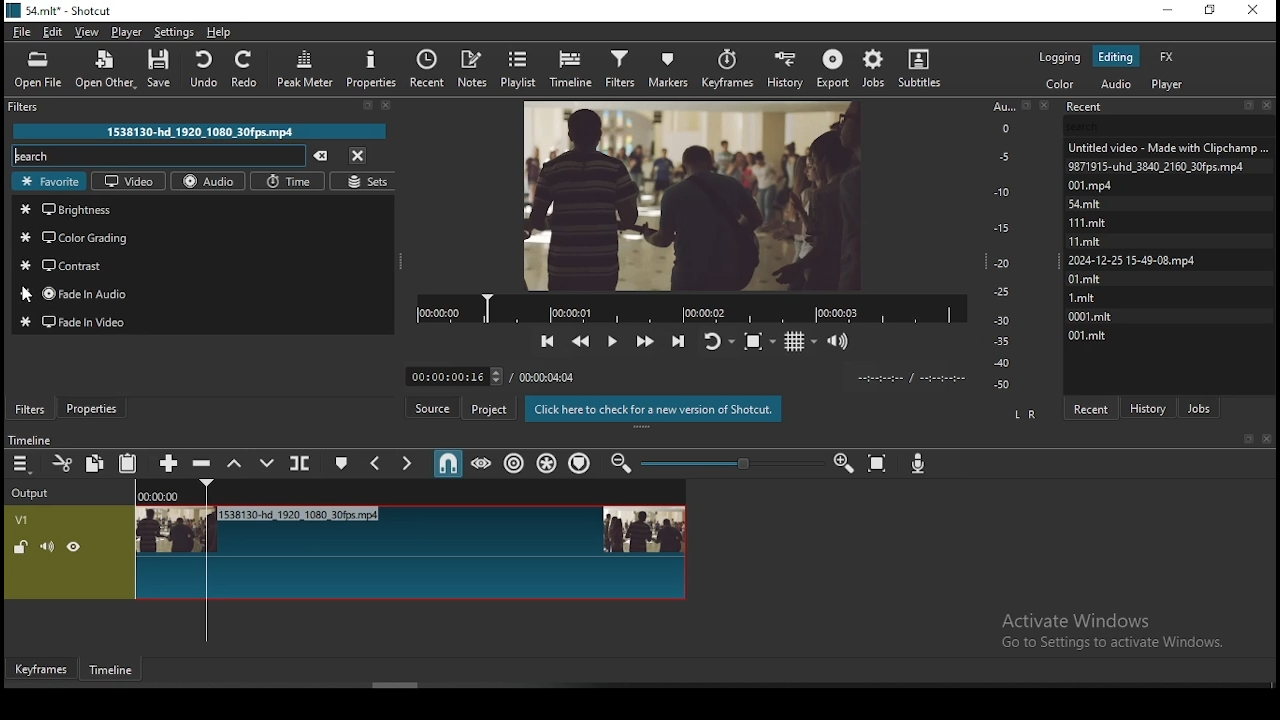 This screenshot has height=720, width=1280. What do you see at coordinates (372, 69) in the screenshot?
I see `properties` at bounding box center [372, 69].